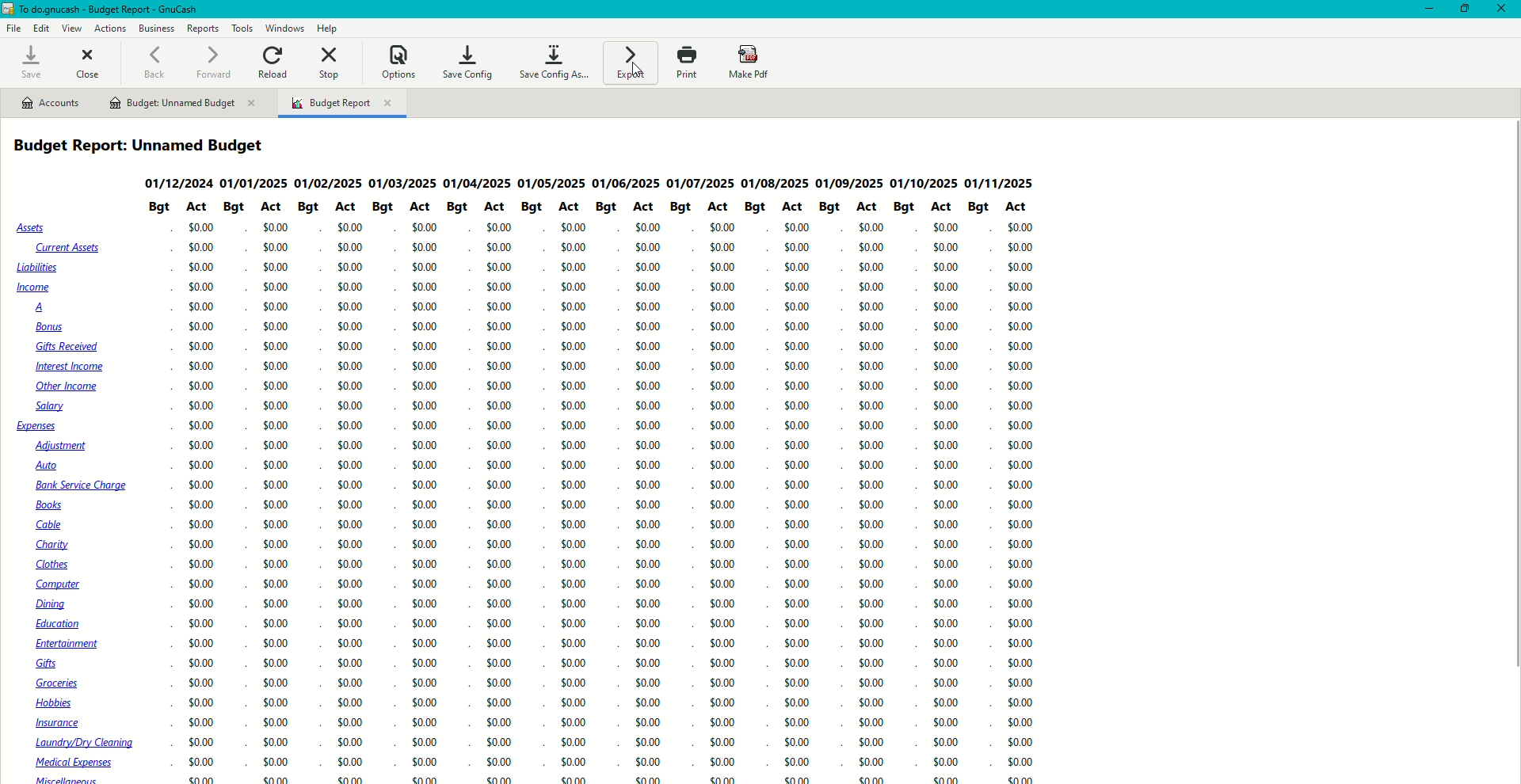  Describe the element at coordinates (198, 546) in the screenshot. I see `$0.00` at that location.